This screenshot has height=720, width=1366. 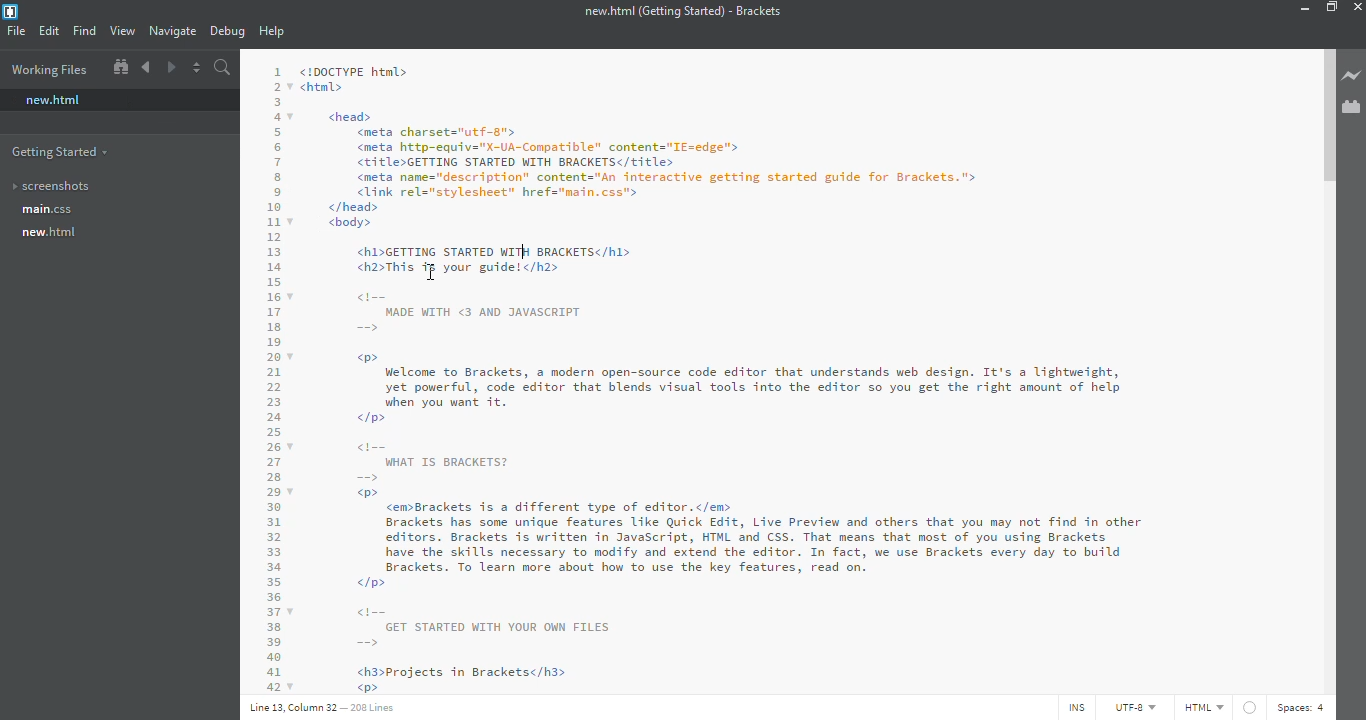 I want to click on working files, so click(x=55, y=70).